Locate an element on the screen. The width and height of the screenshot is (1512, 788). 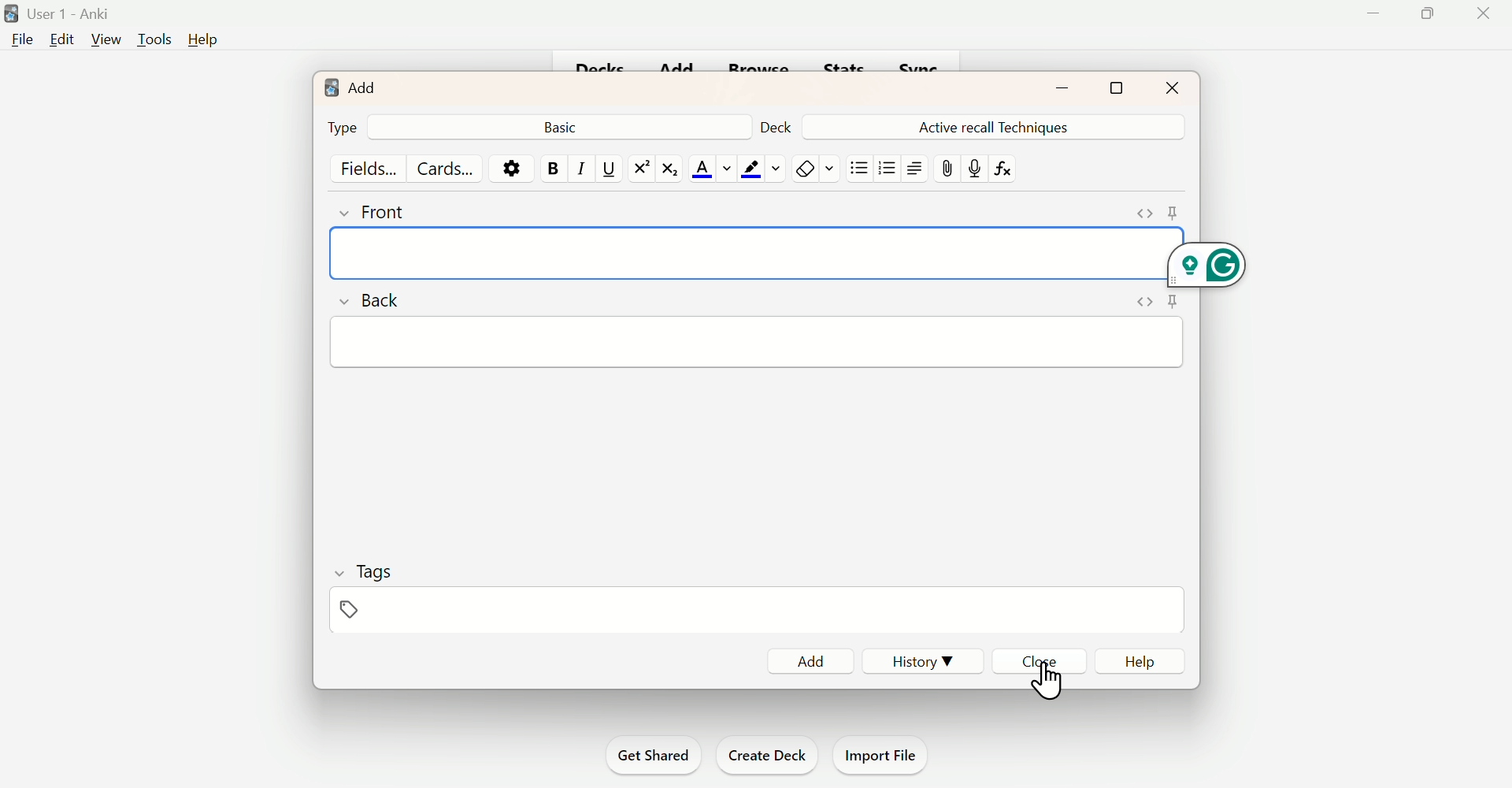
Tools is located at coordinates (150, 39).